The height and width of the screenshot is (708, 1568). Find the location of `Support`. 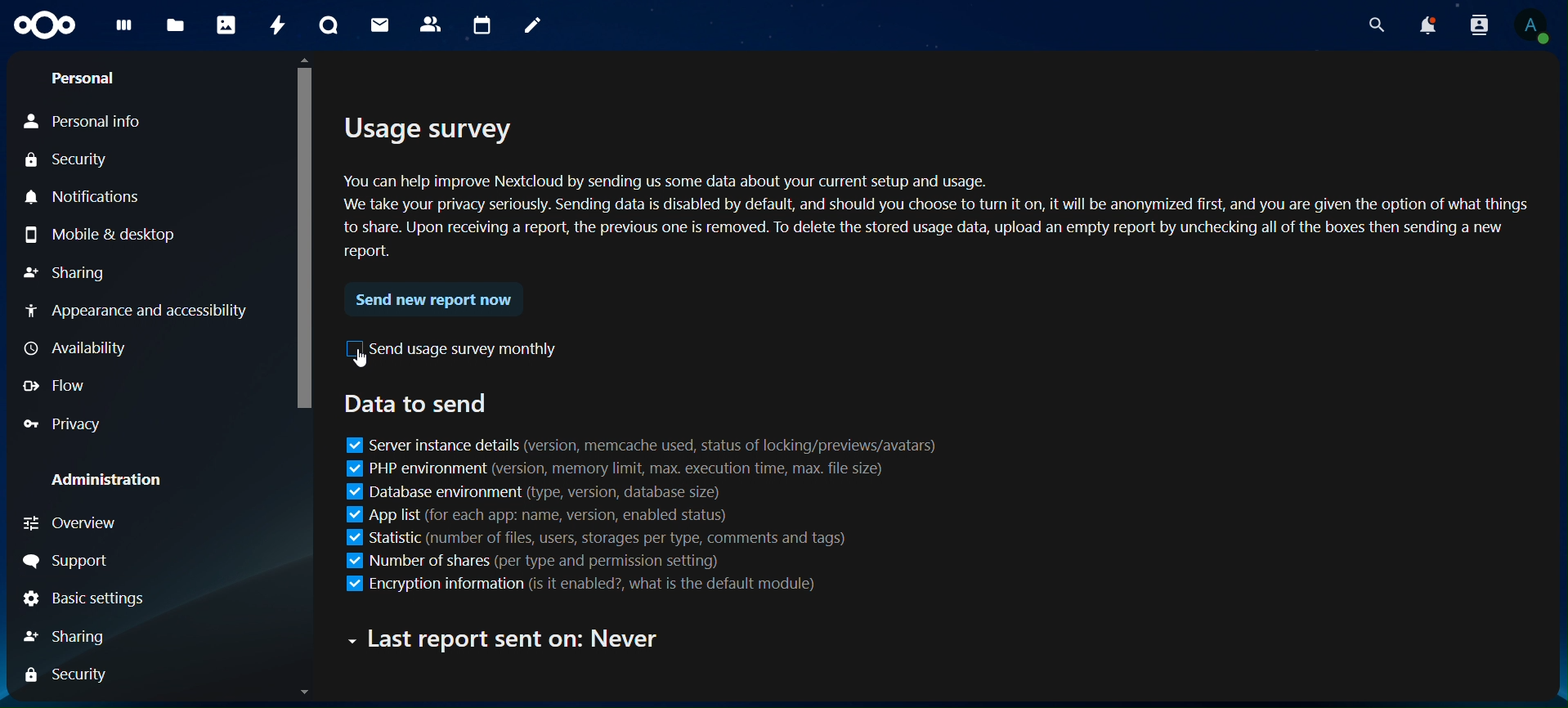

Support is located at coordinates (68, 562).